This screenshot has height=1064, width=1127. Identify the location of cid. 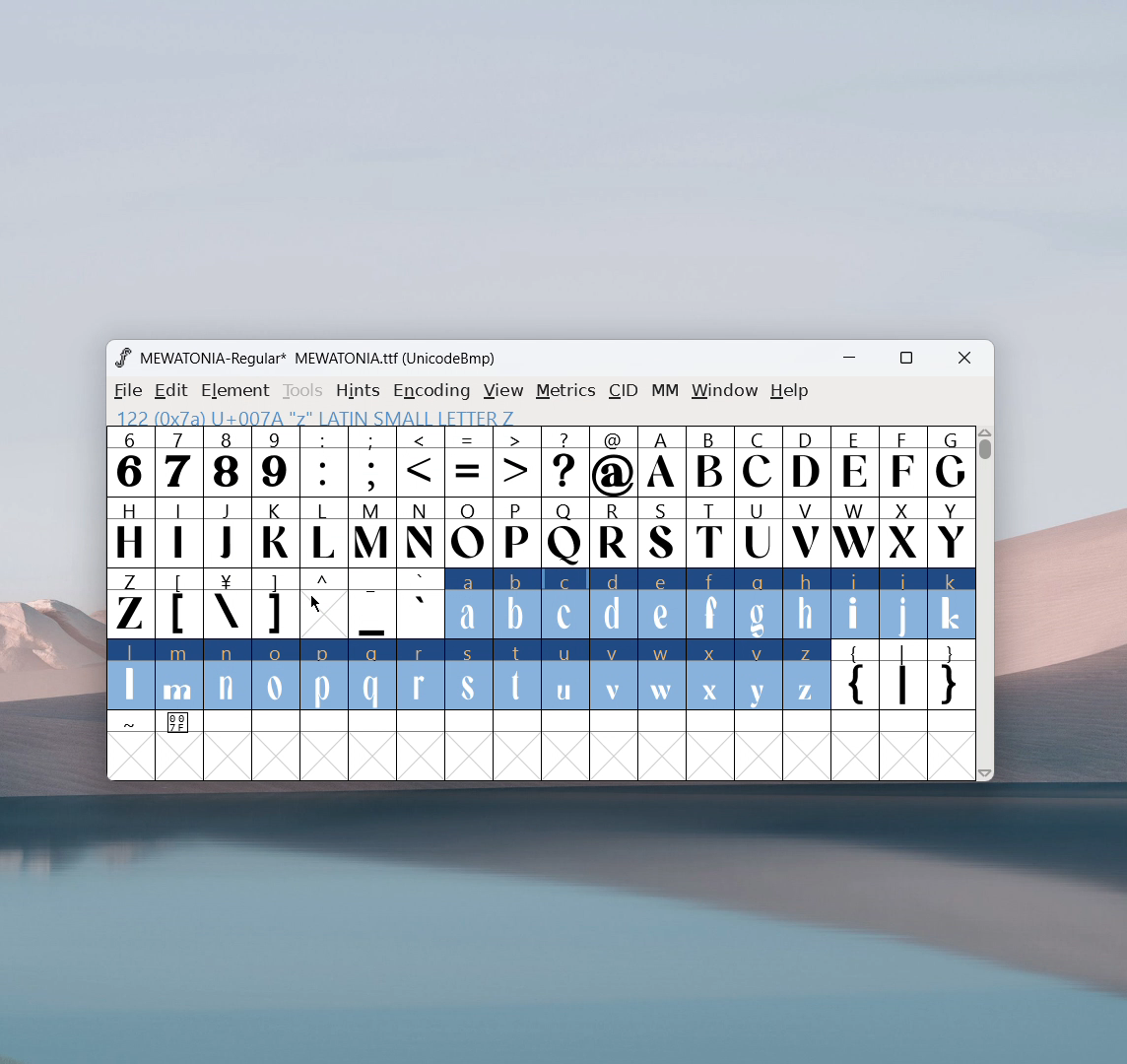
(623, 391).